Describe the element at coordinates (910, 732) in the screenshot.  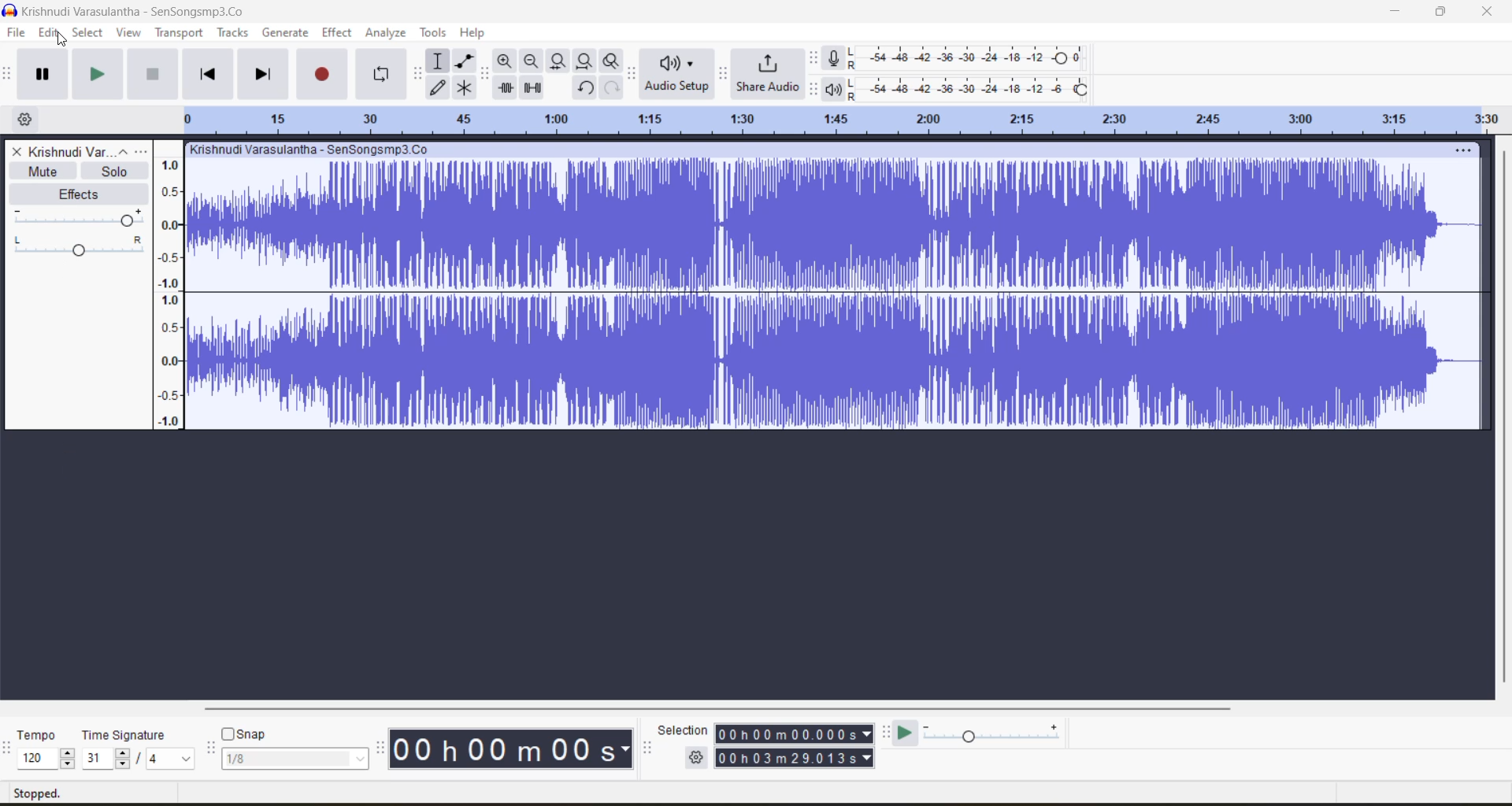
I see `play at speed` at that location.